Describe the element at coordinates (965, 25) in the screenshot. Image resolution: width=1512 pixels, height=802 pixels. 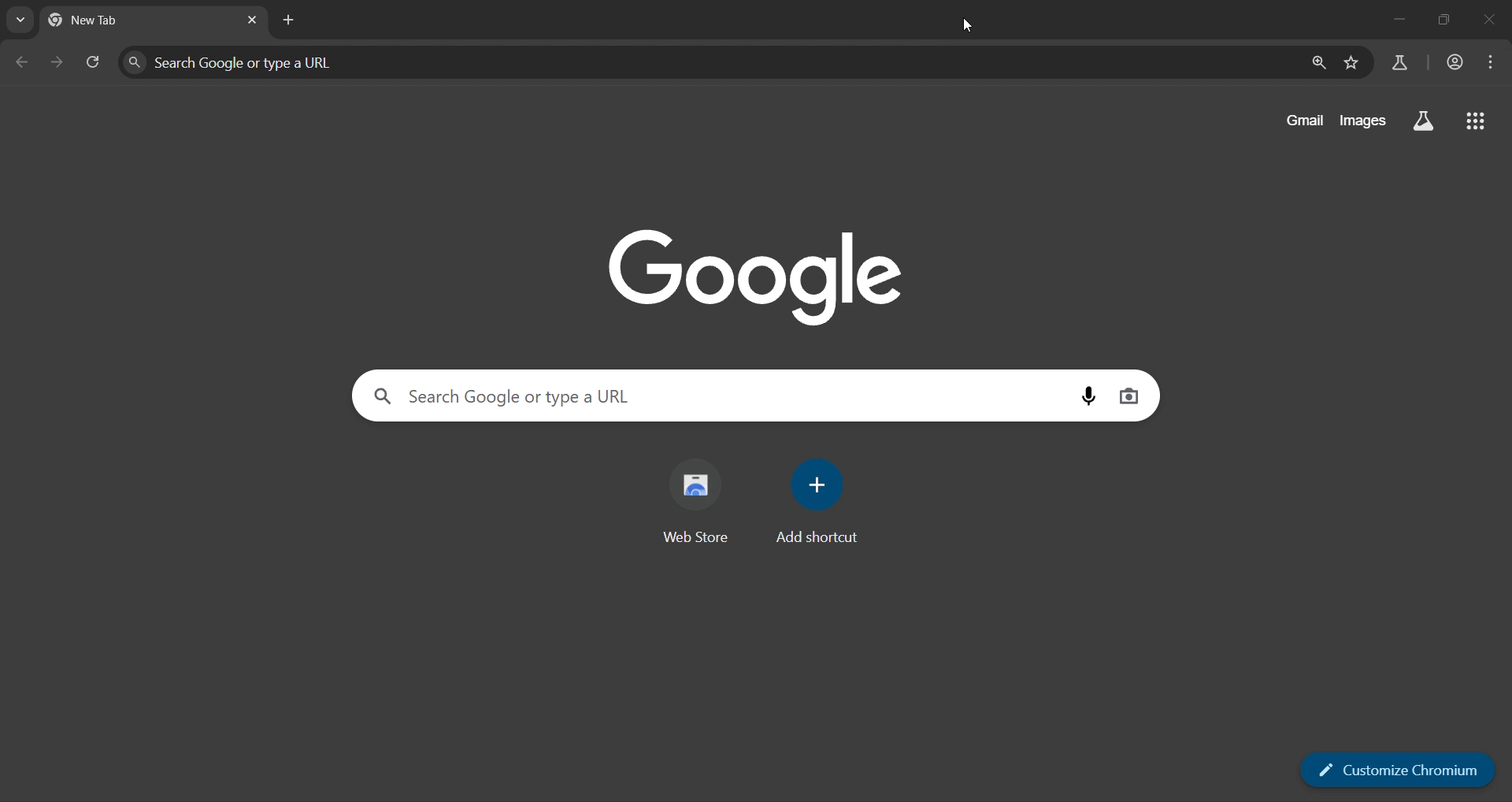
I see `cursor` at that location.